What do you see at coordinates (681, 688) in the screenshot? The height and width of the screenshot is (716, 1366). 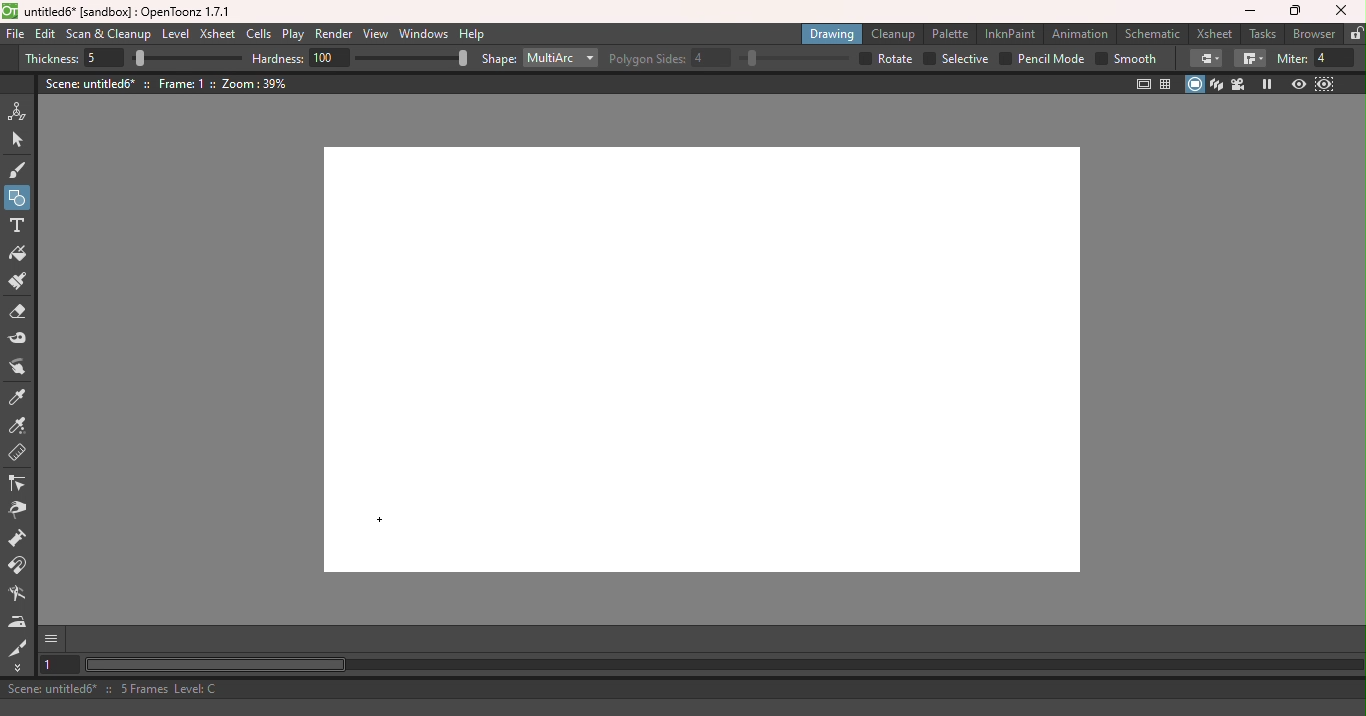 I see `Scene: untitled6* :: 5 Frames Level: C` at bounding box center [681, 688].